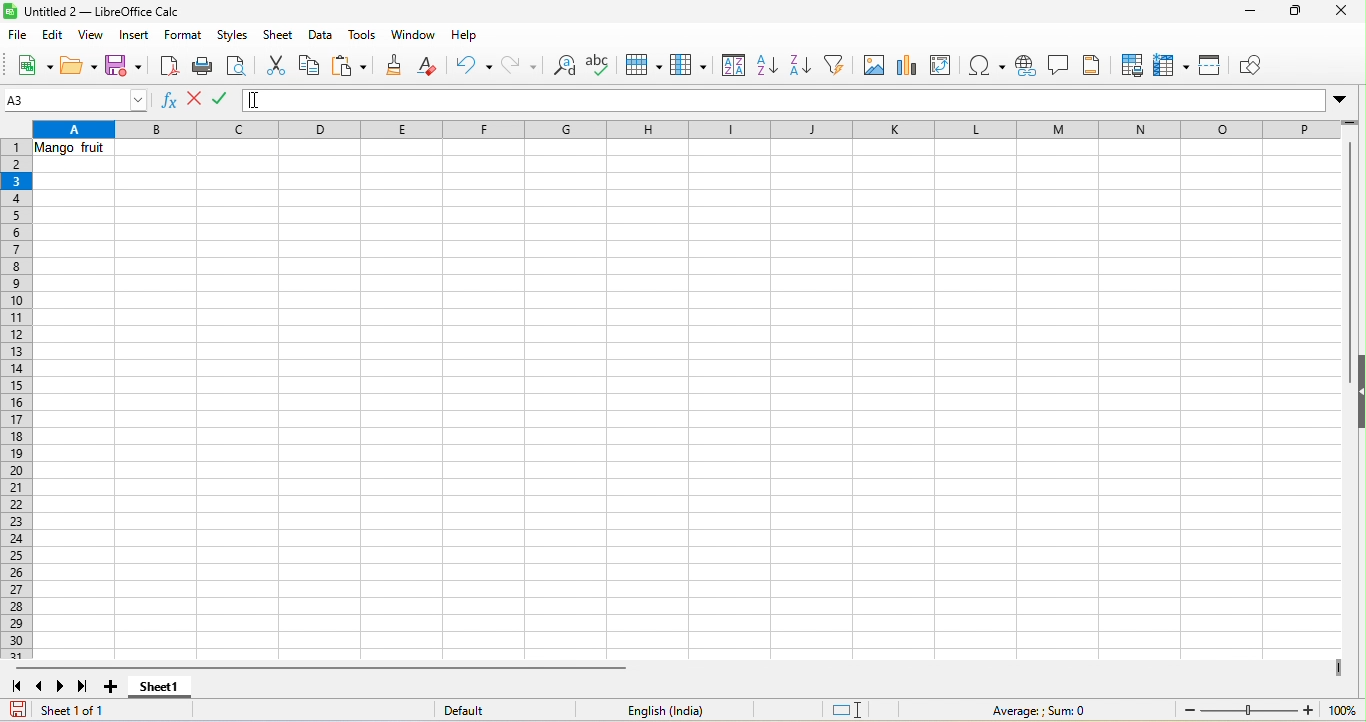 The width and height of the screenshot is (1366, 722). Describe the element at coordinates (172, 104) in the screenshot. I see `function wizard` at that location.